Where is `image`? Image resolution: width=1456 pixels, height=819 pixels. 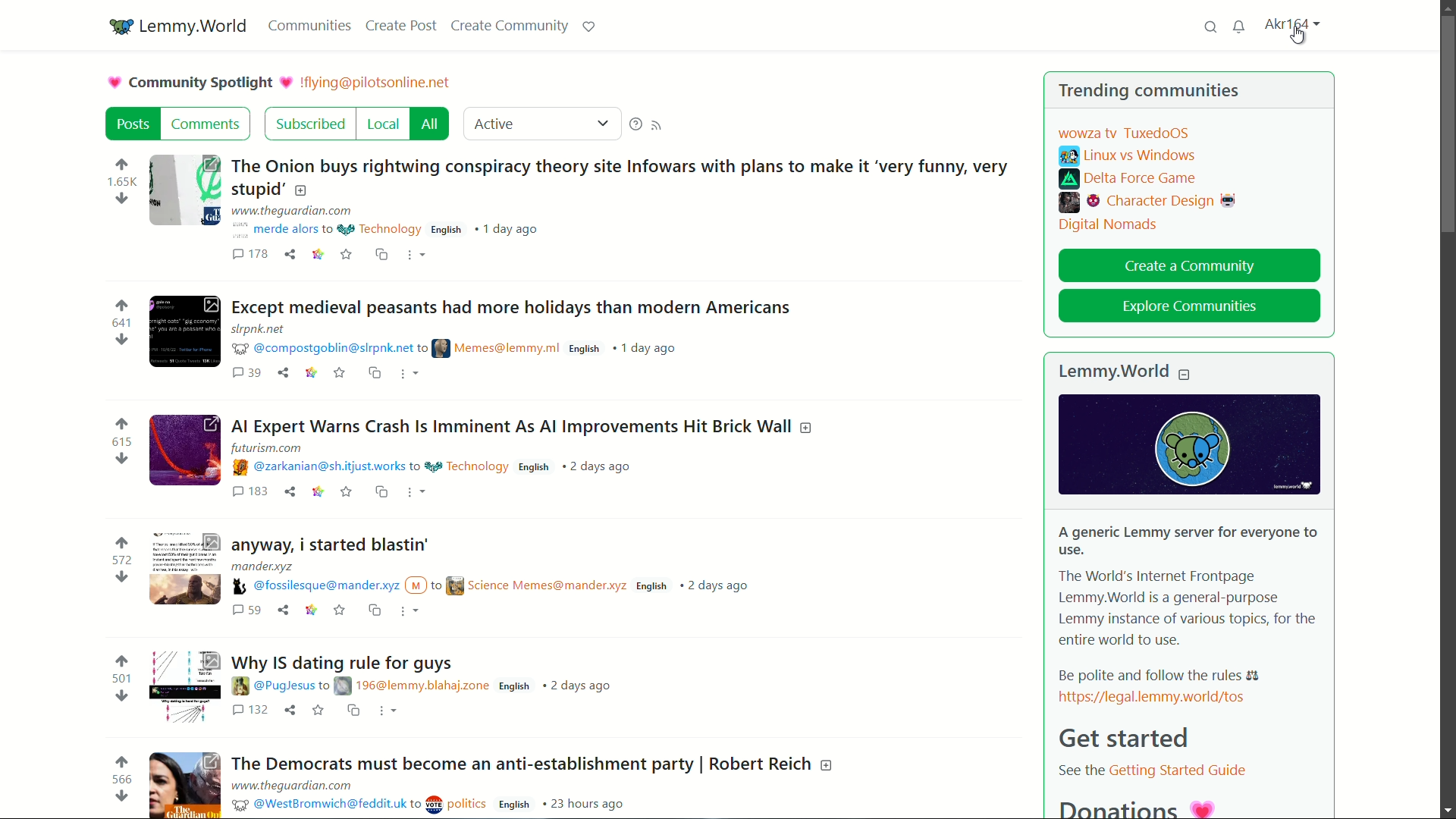
image is located at coordinates (186, 450).